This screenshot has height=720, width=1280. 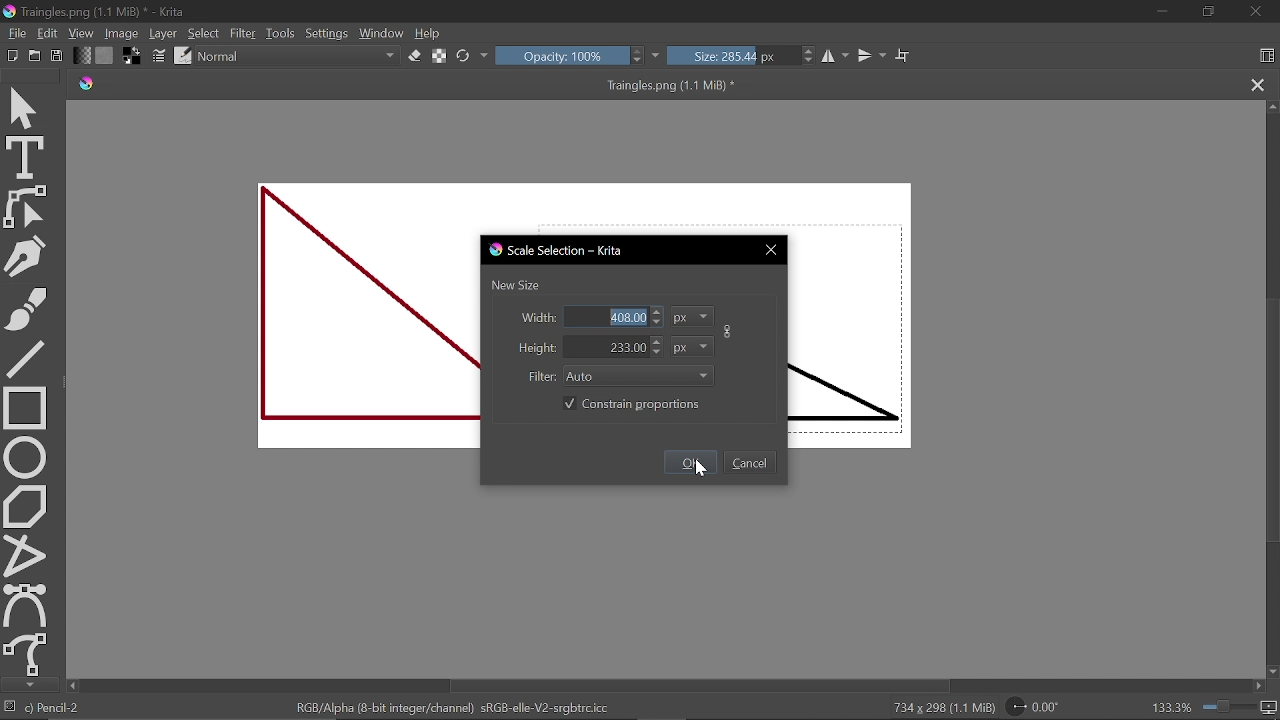 What do you see at coordinates (57, 708) in the screenshot?
I see `Pencil-2` at bounding box center [57, 708].